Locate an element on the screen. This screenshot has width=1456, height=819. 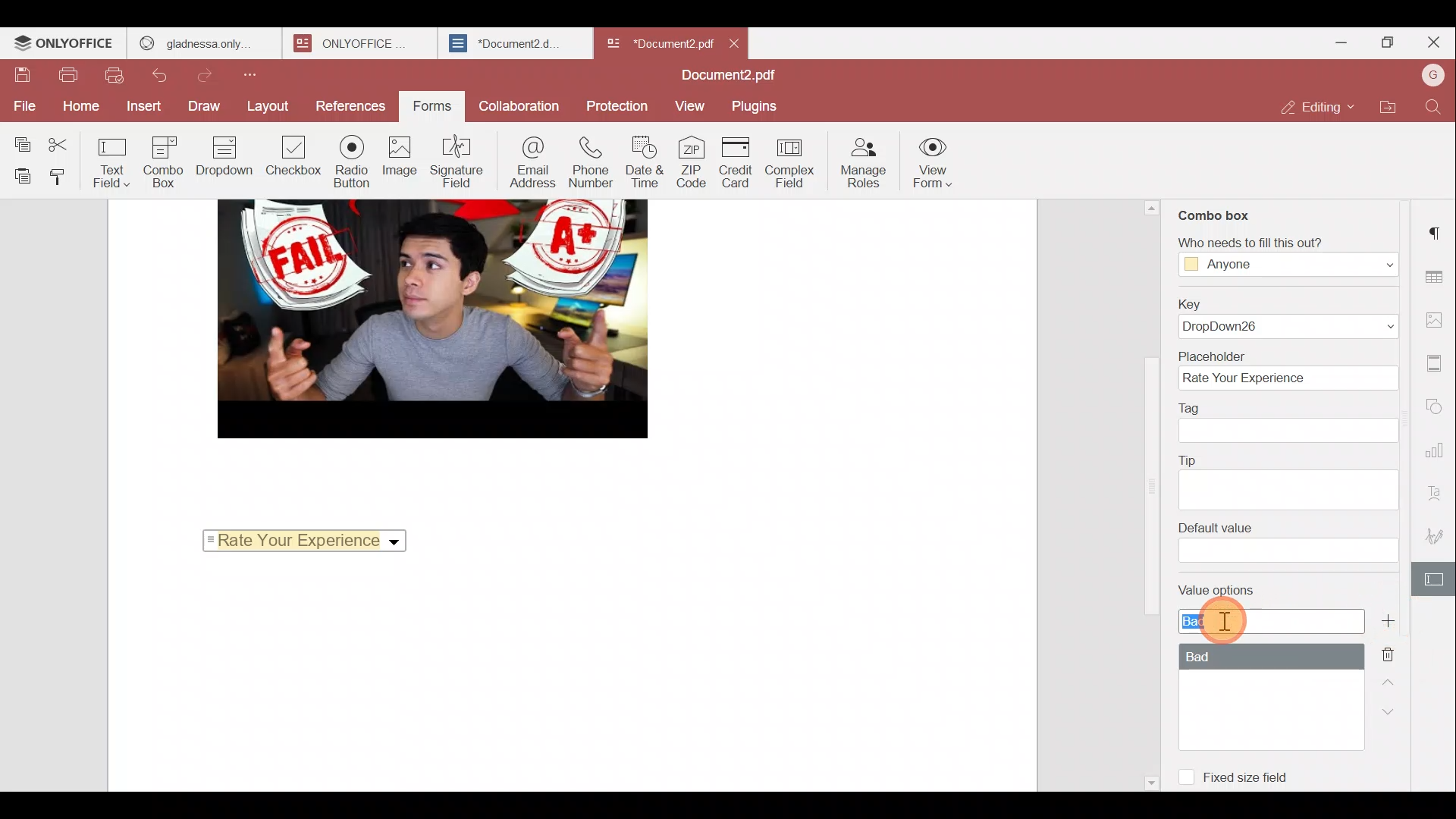
Cursor is located at coordinates (1227, 620).